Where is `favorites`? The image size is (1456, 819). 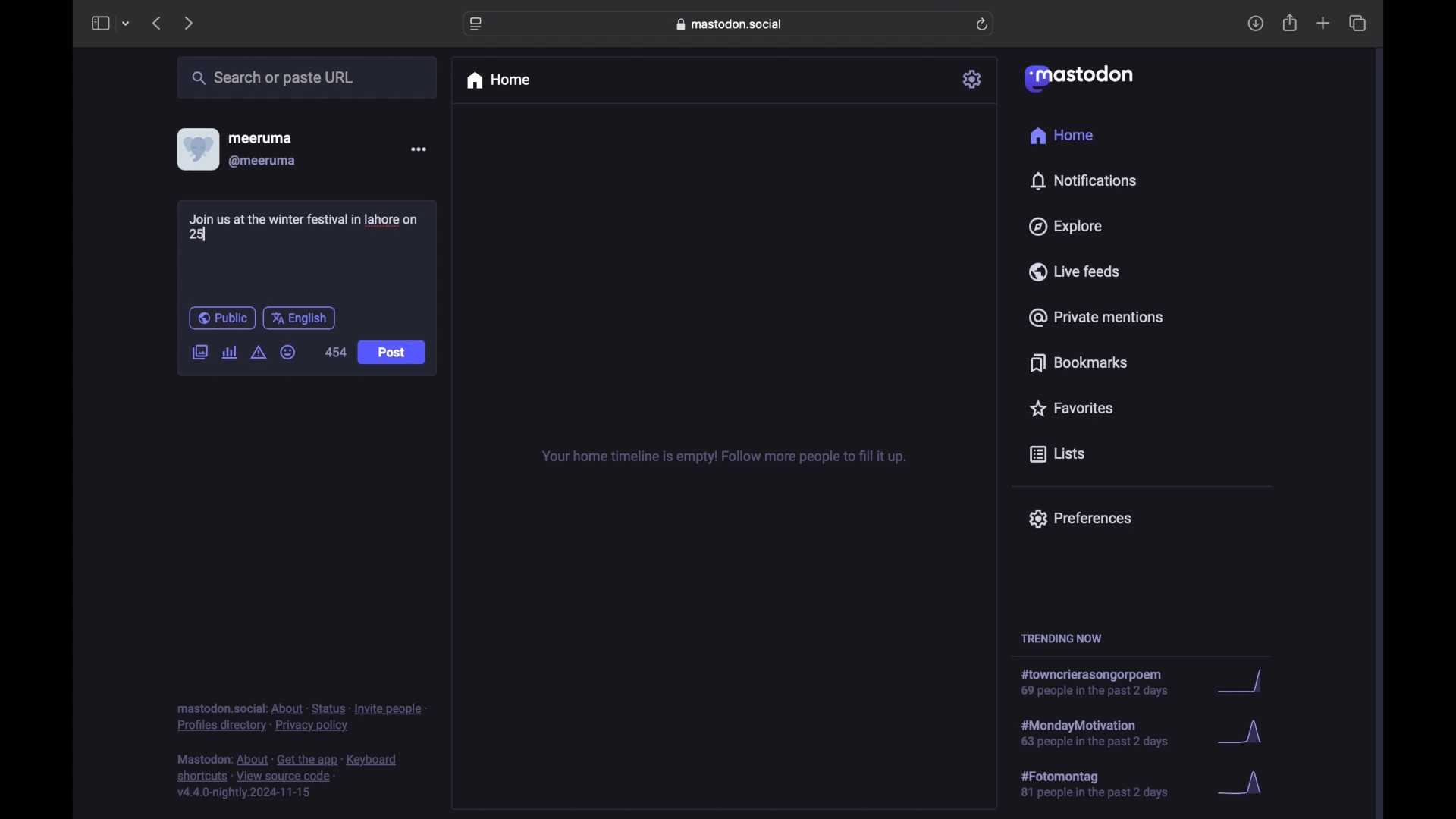
favorites is located at coordinates (1070, 408).